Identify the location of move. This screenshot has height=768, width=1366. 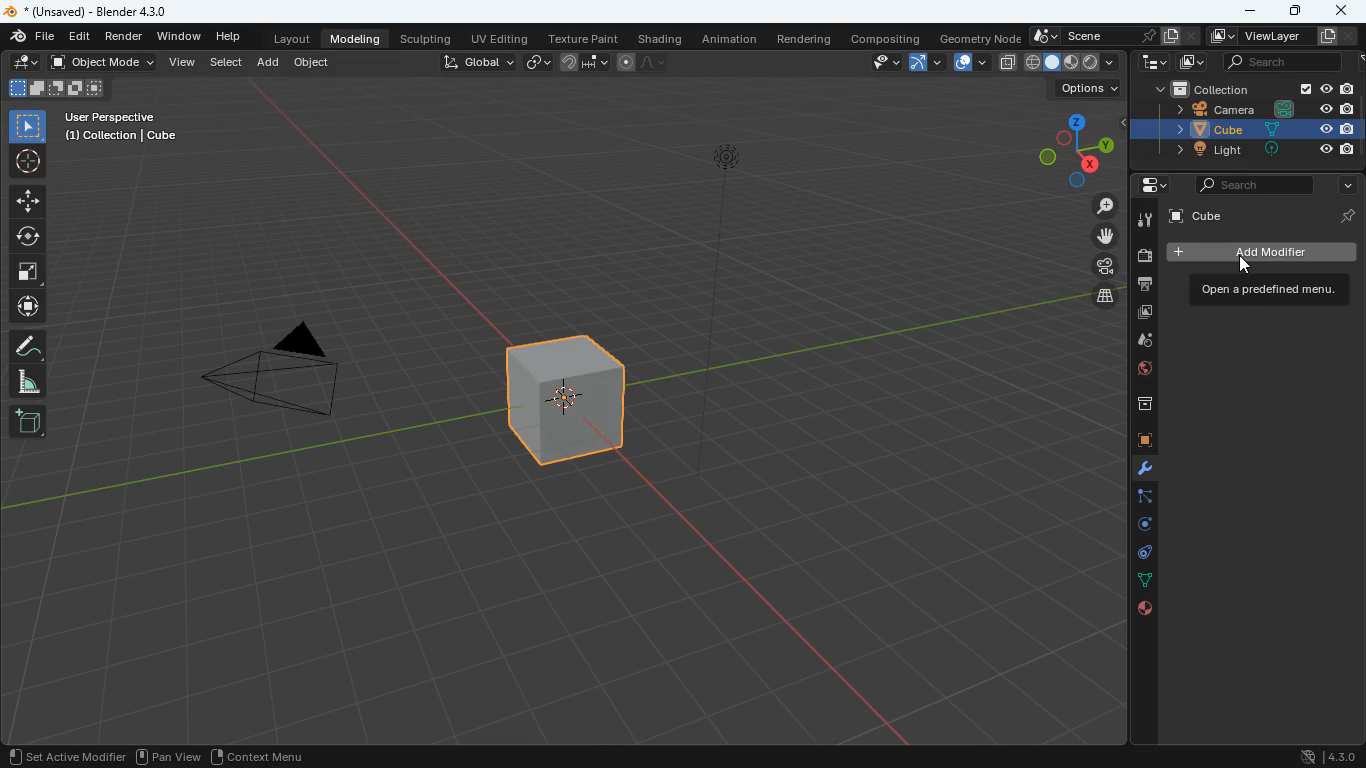
(1110, 235).